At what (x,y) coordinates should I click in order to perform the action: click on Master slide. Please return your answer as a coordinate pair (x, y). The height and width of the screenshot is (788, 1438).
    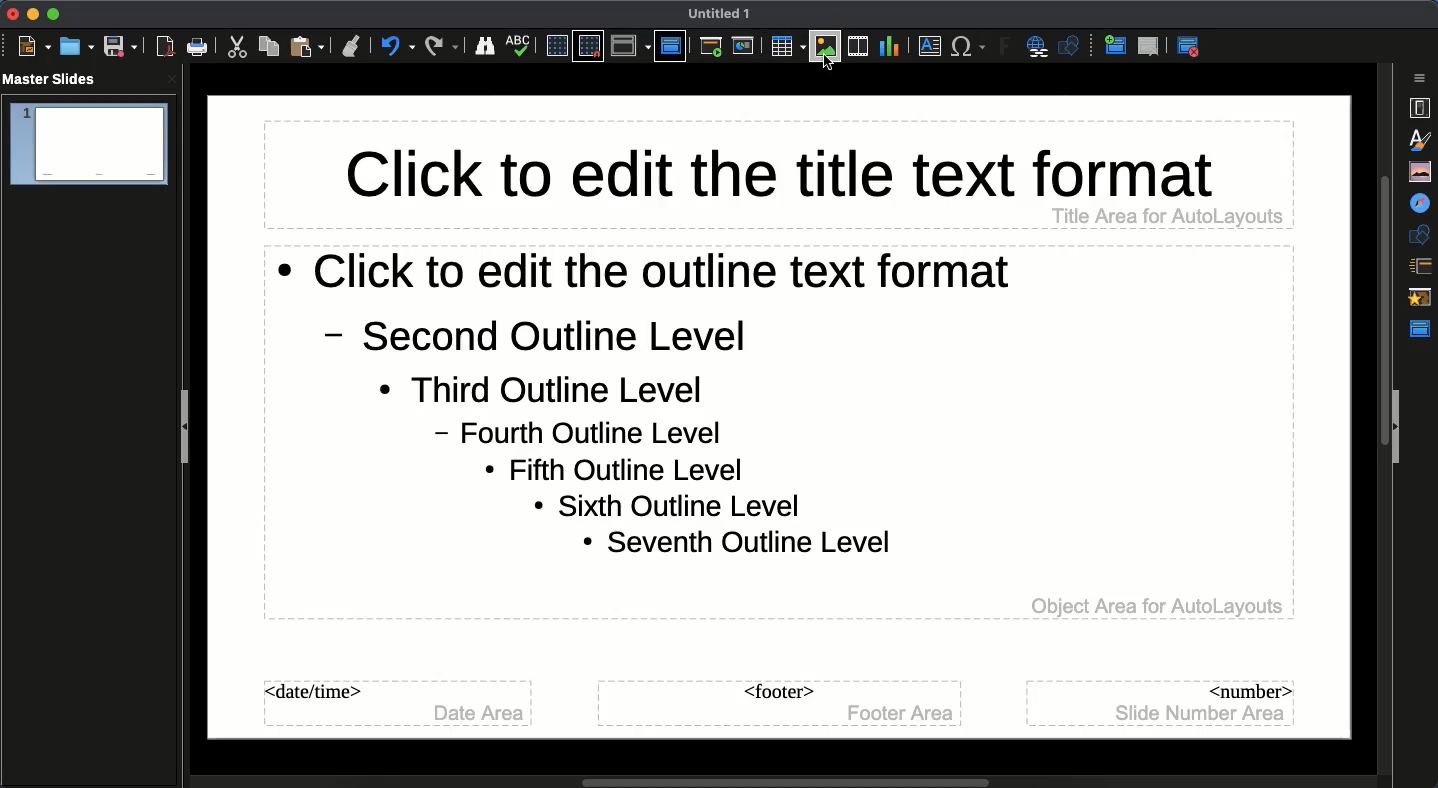
    Looking at the image, I should click on (670, 45).